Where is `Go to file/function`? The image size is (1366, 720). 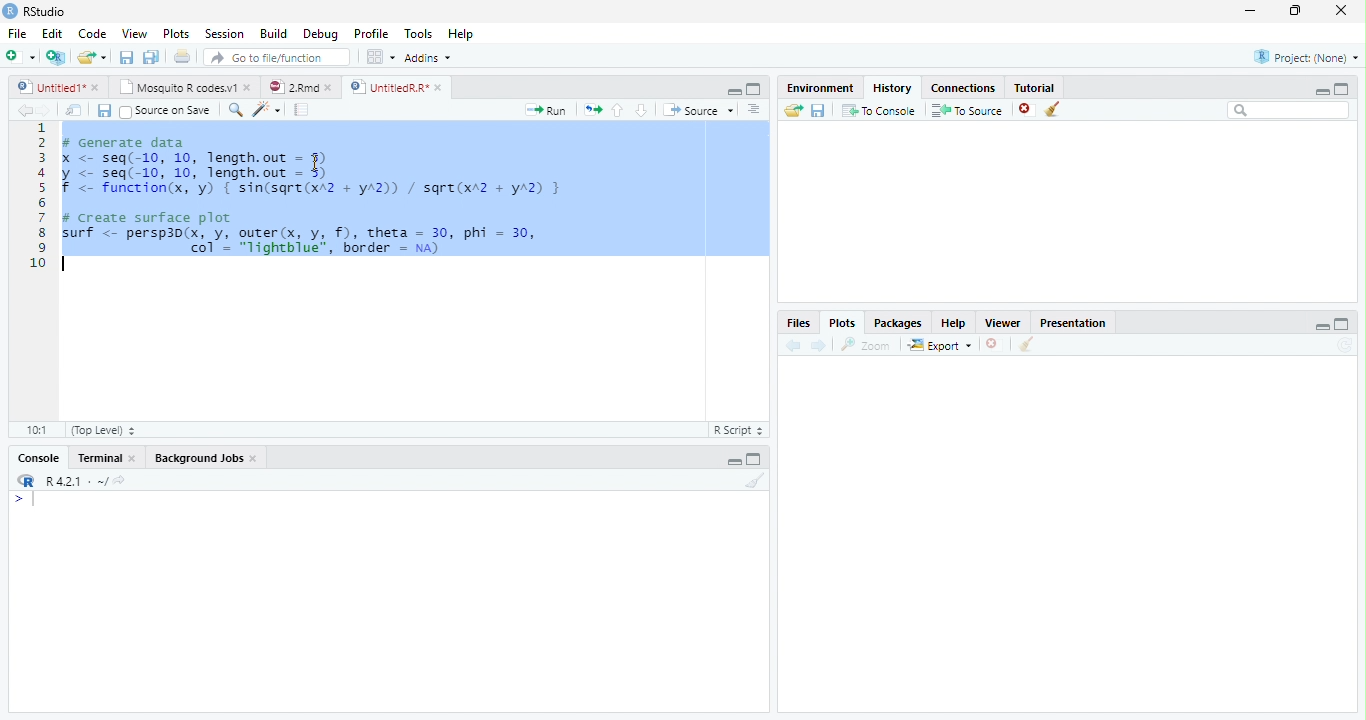 Go to file/function is located at coordinates (277, 56).